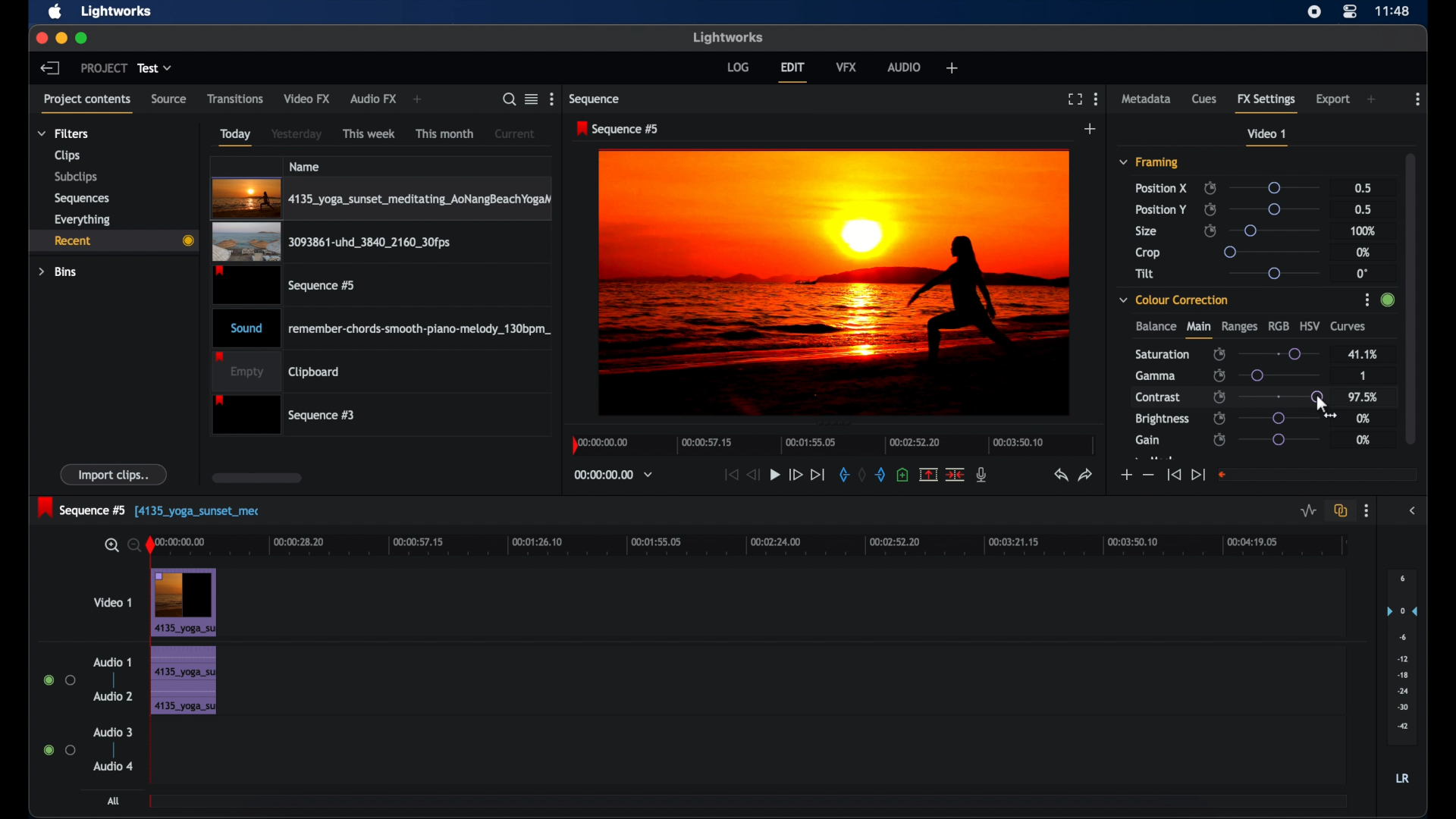 The width and height of the screenshot is (1456, 819). What do you see at coordinates (1363, 440) in the screenshot?
I see `0%` at bounding box center [1363, 440].